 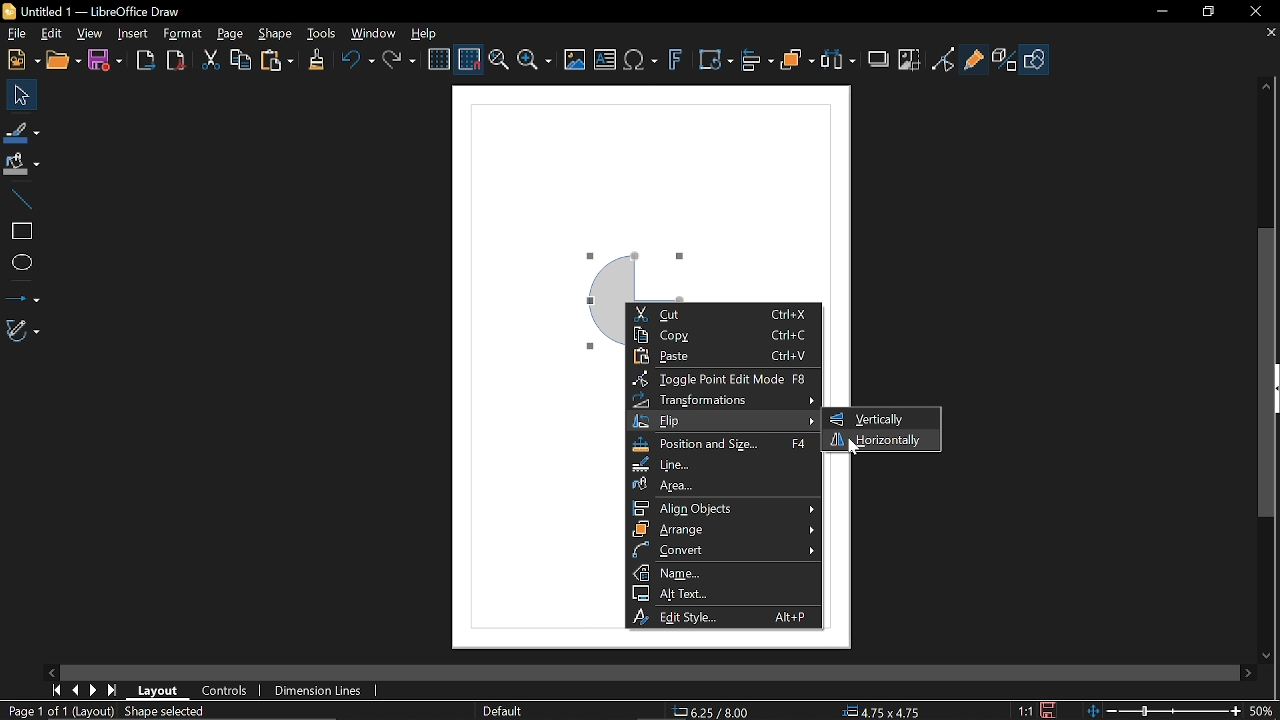 What do you see at coordinates (374, 35) in the screenshot?
I see `Window` at bounding box center [374, 35].